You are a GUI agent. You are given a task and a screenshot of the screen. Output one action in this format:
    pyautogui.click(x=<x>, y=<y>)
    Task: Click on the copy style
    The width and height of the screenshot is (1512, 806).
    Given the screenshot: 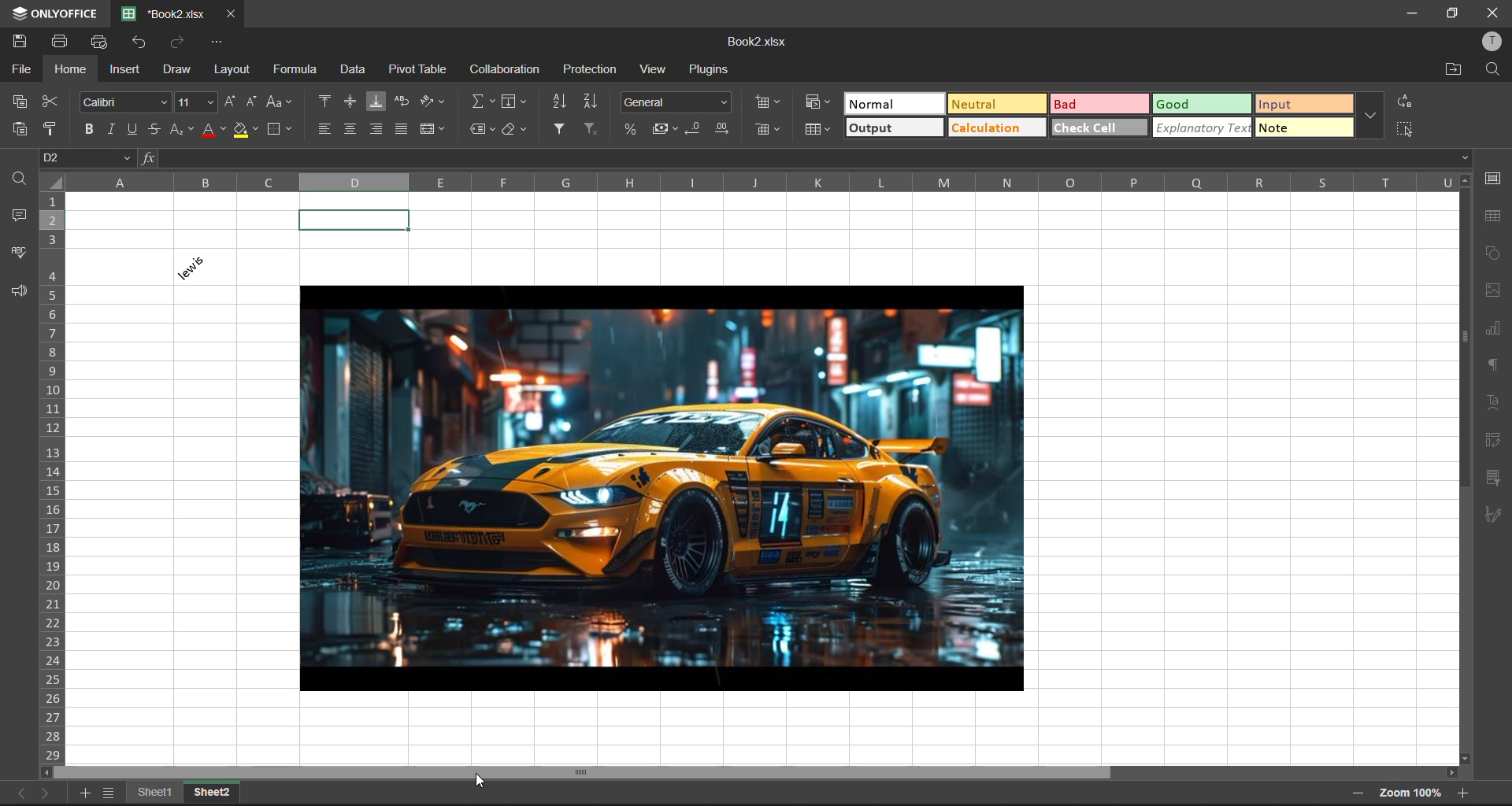 What is the action you would take?
    pyautogui.click(x=51, y=129)
    